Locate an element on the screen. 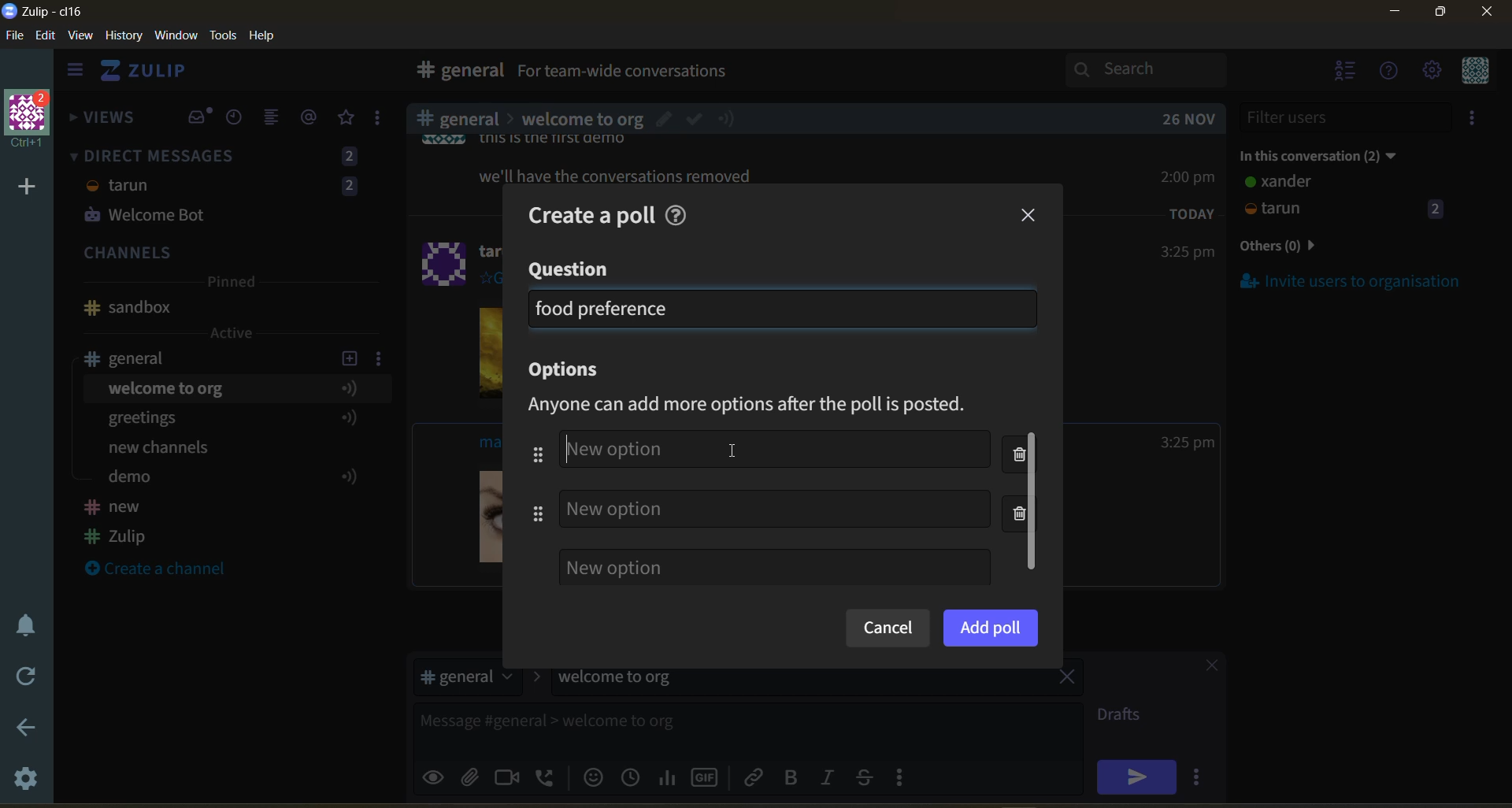  app name and organisation name is located at coordinates (43, 12).